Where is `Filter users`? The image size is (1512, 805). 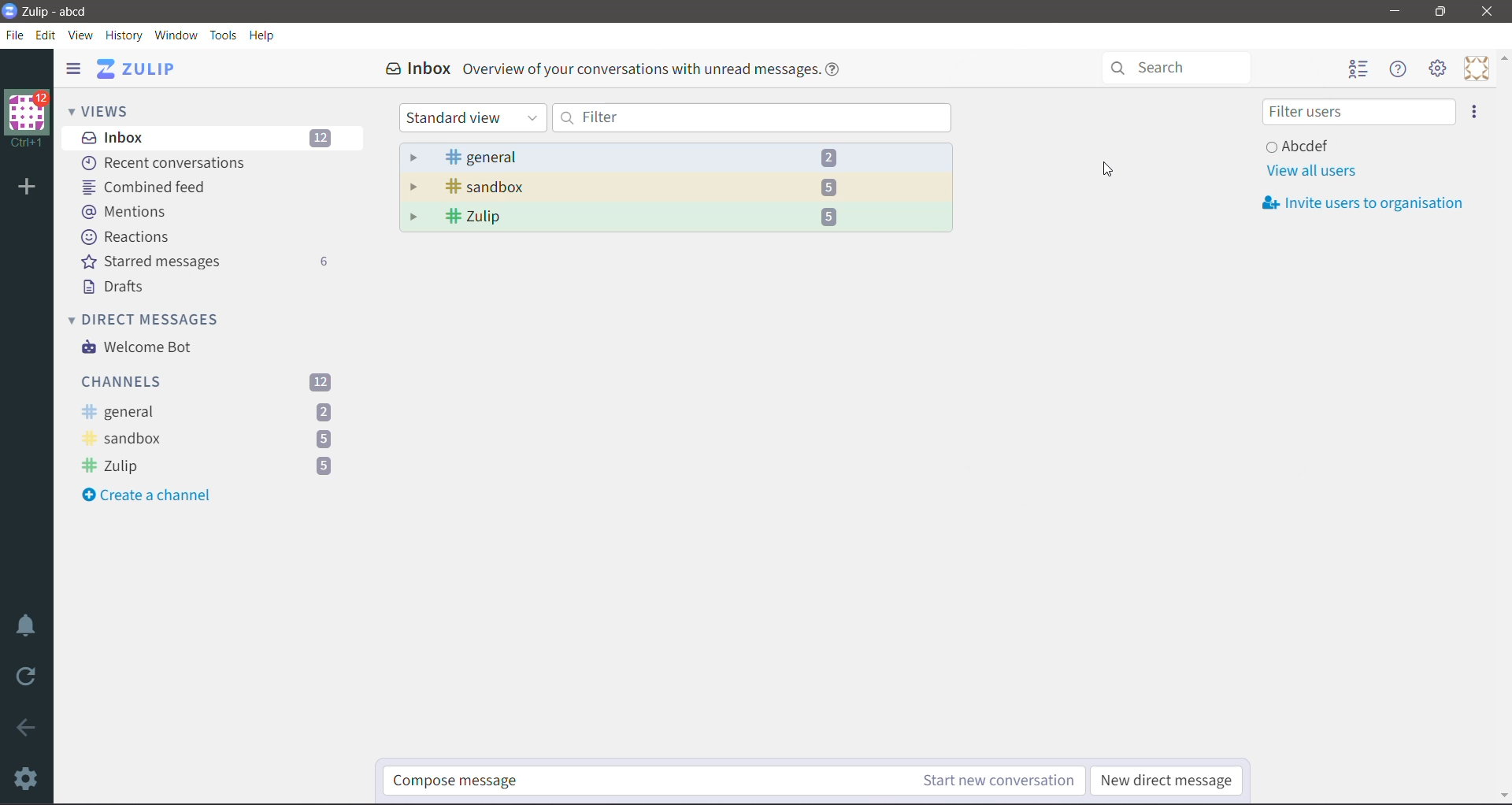
Filter users is located at coordinates (1358, 112).